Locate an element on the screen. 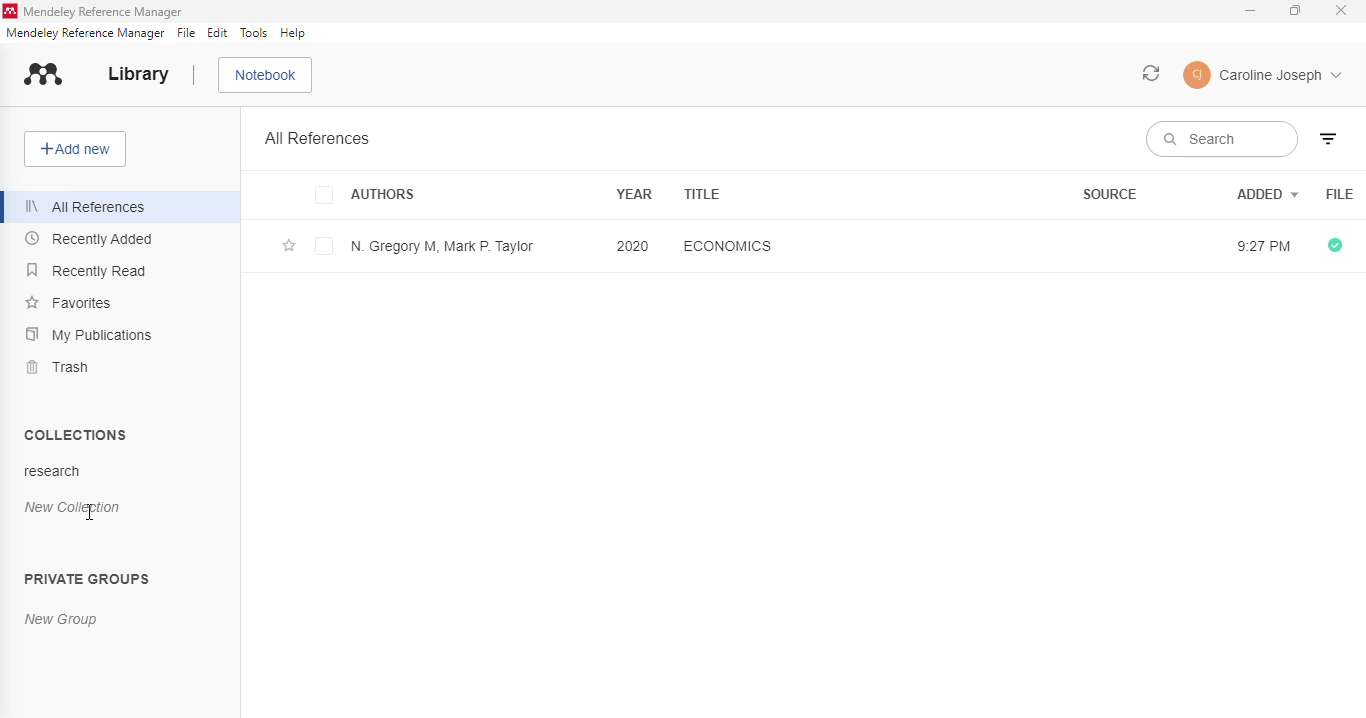 Image resolution: width=1366 pixels, height=718 pixels. N. Gregory M, Mark P. Taylor is located at coordinates (444, 246).